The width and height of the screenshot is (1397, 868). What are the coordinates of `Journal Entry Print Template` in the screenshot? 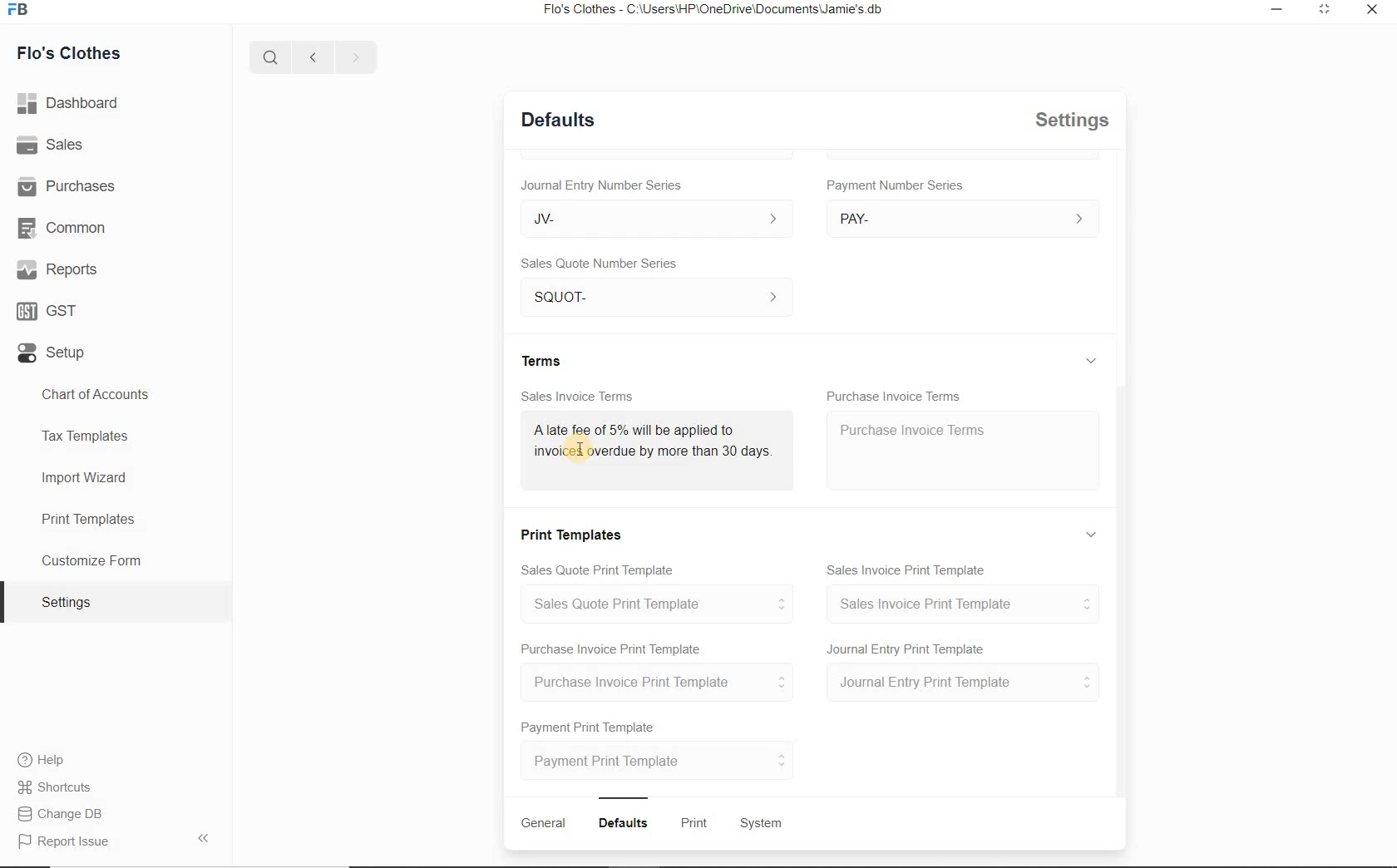 It's located at (963, 683).